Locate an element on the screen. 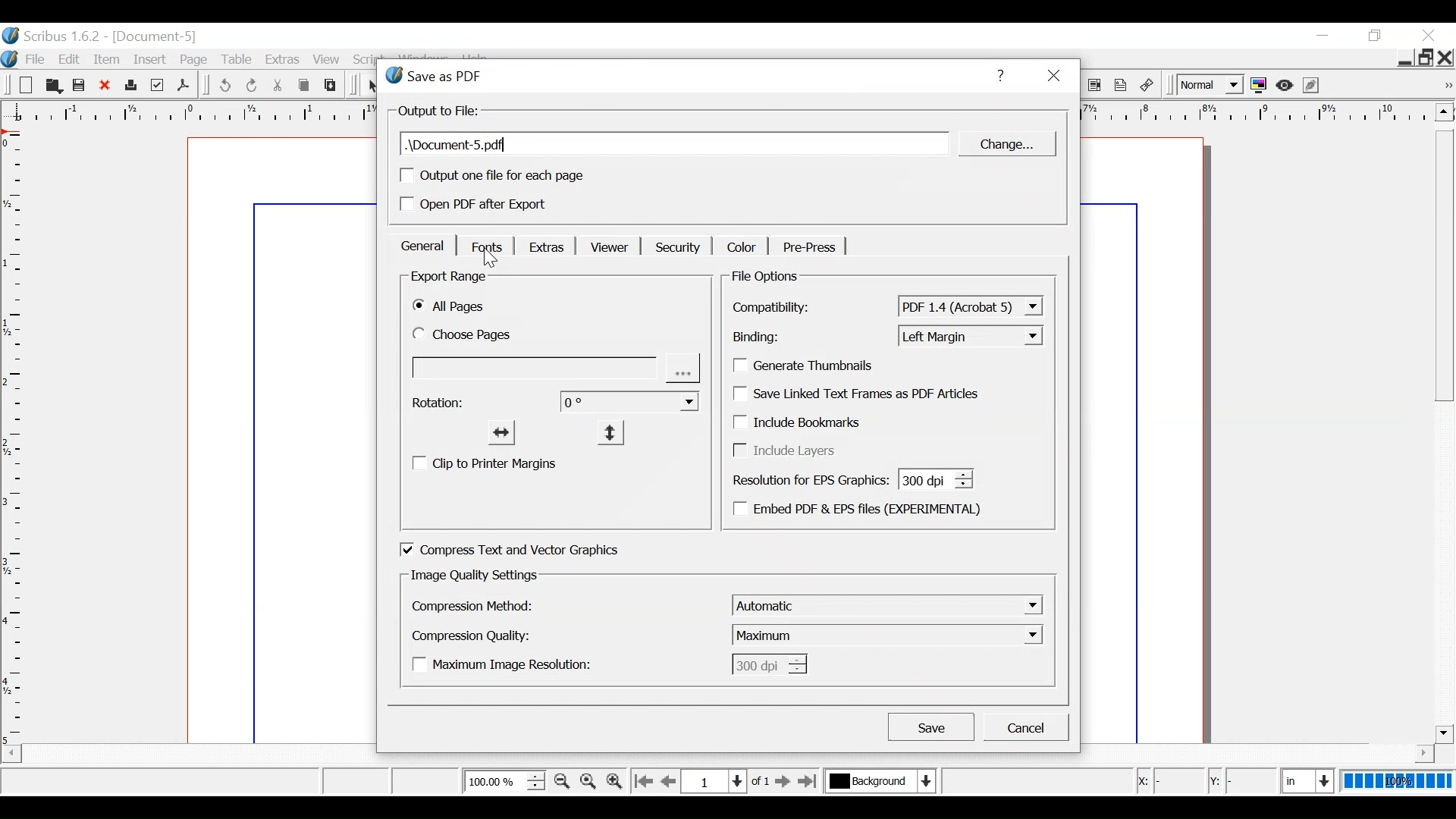 This screenshot has height=819, width=1456. Rotation is located at coordinates (440, 403).